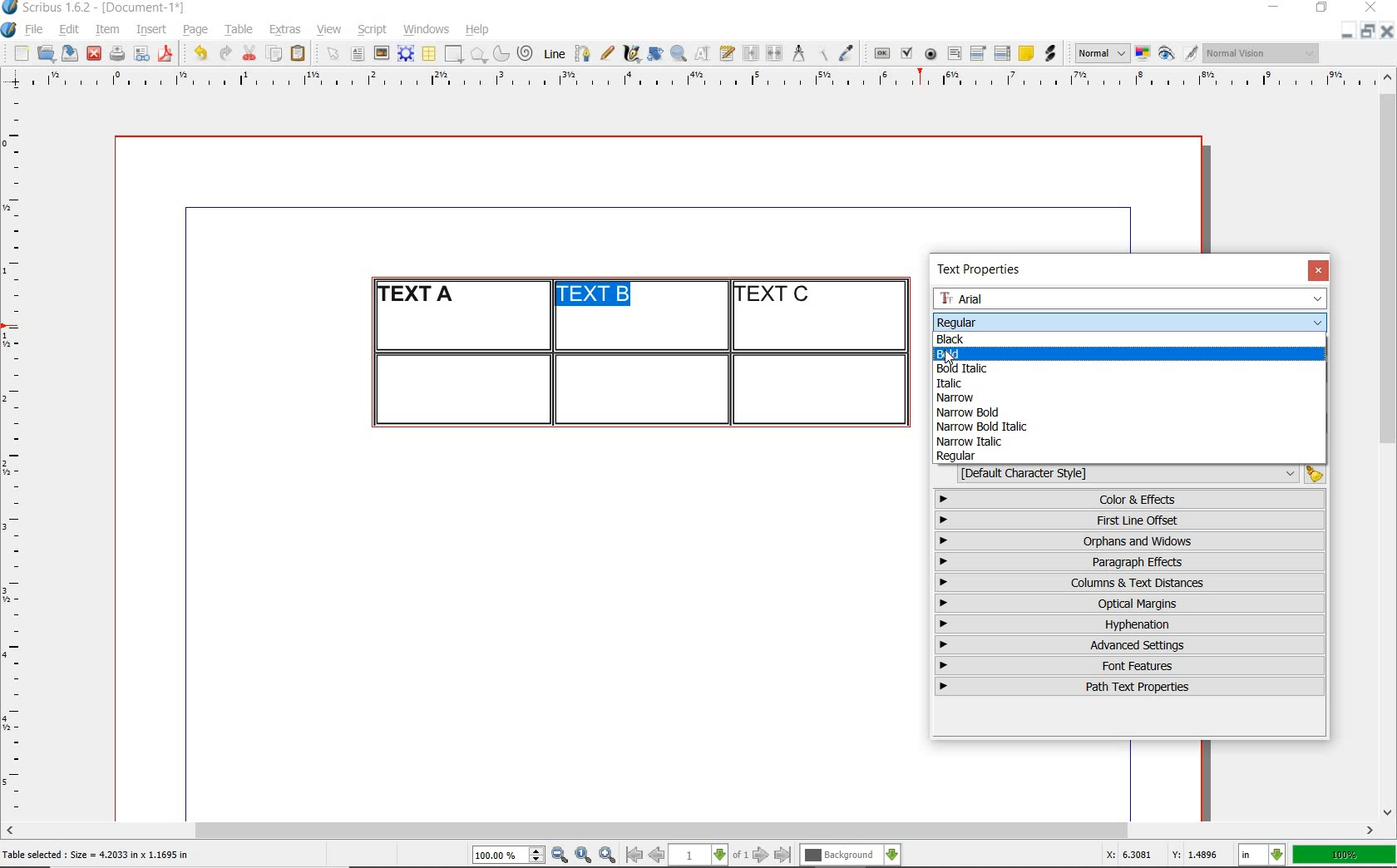 The image size is (1397, 868). What do you see at coordinates (690, 832) in the screenshot?
I see `scrollbar` at bounding box center [690, 832].